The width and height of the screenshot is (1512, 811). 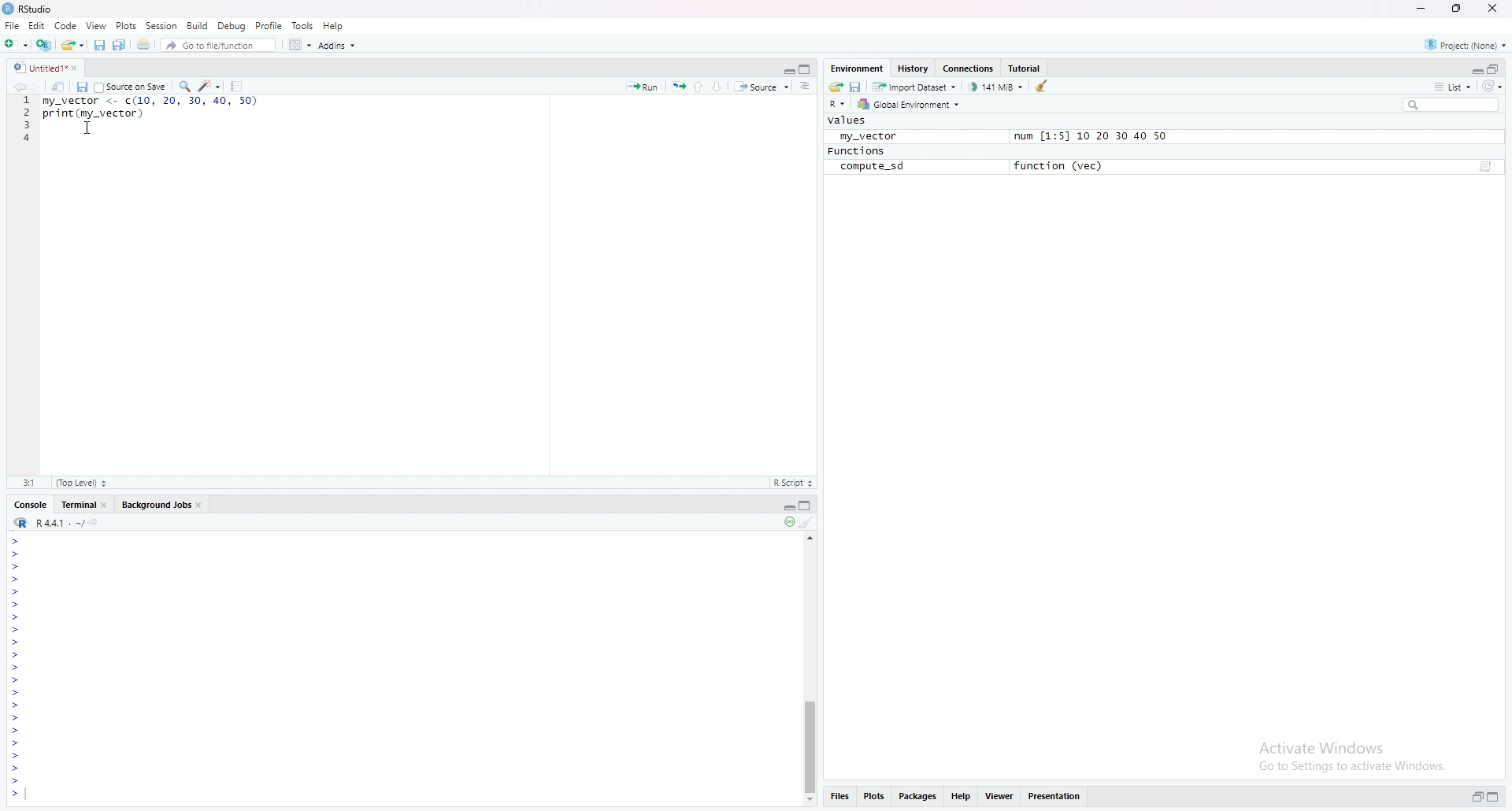 What do you see at coordinates (60, 522) in the screenshot?
I see `R4.4.1. ~/` at bounding box center [60, 522].